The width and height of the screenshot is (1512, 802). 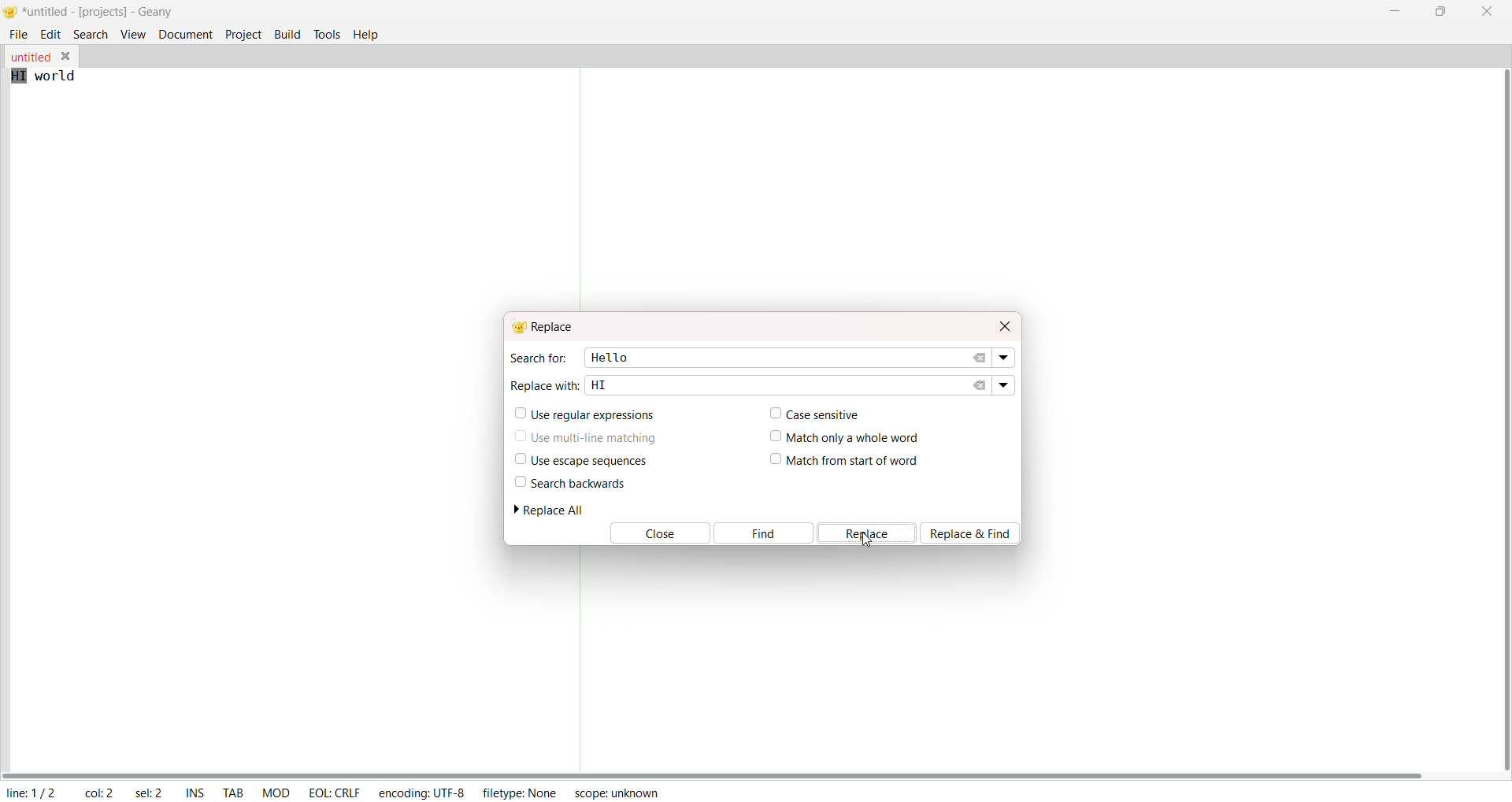 I want to click on case sensitive, so click(x=811, y=413).